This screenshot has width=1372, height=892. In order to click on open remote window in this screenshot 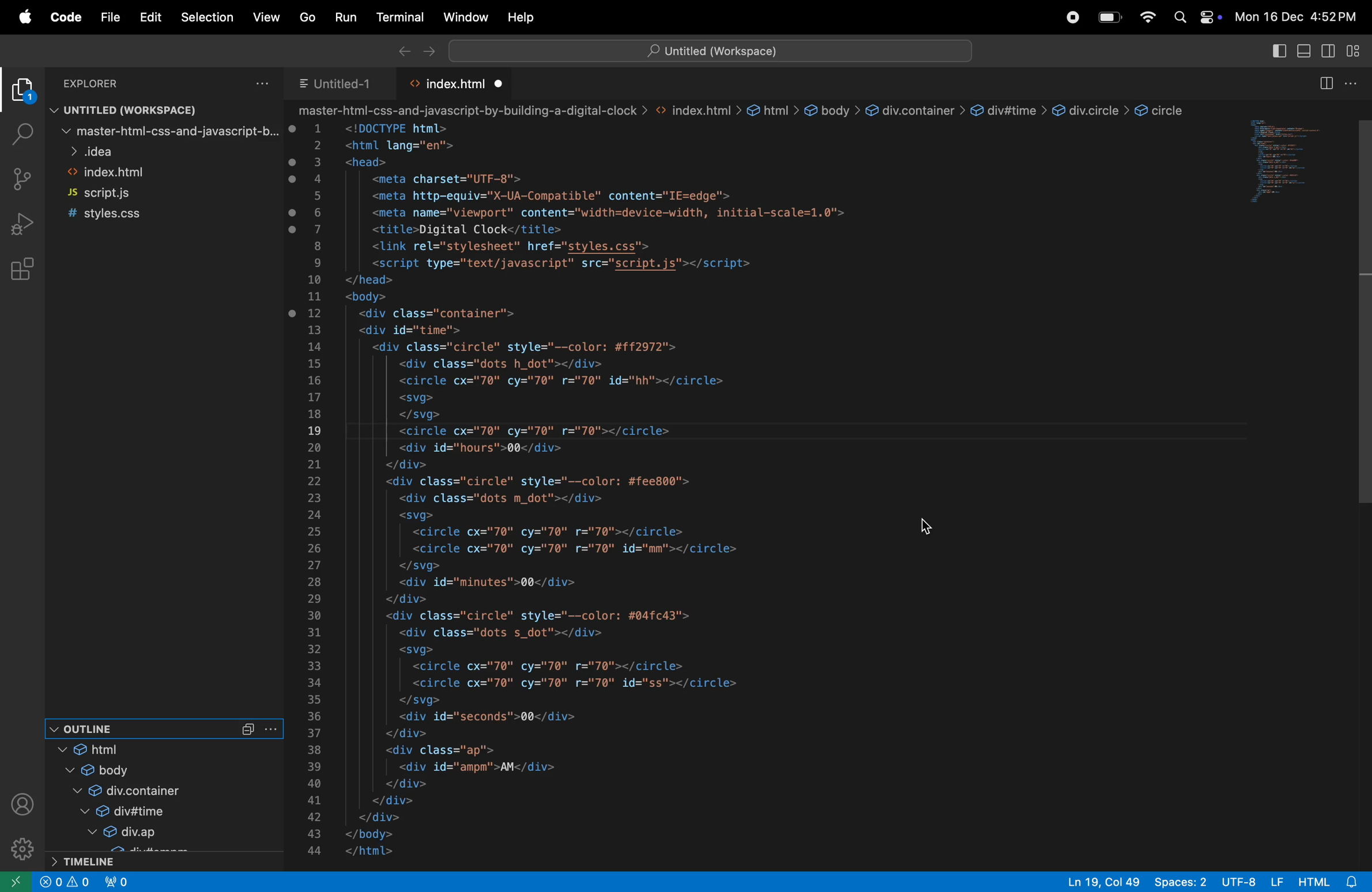, I will do `click(19, 880)`.